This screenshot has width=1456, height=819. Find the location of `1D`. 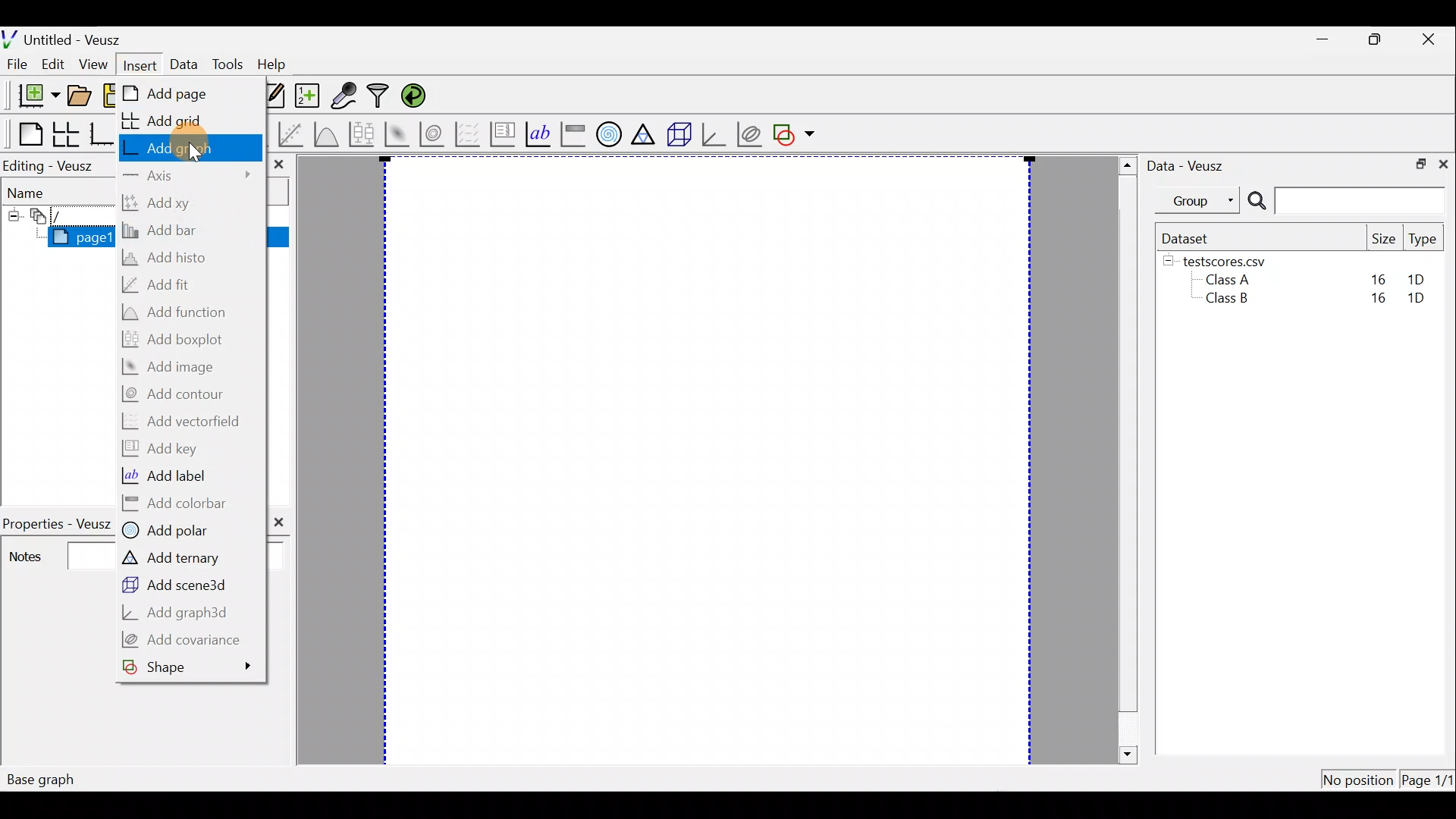

1D is located at coordinates (1423, 300).